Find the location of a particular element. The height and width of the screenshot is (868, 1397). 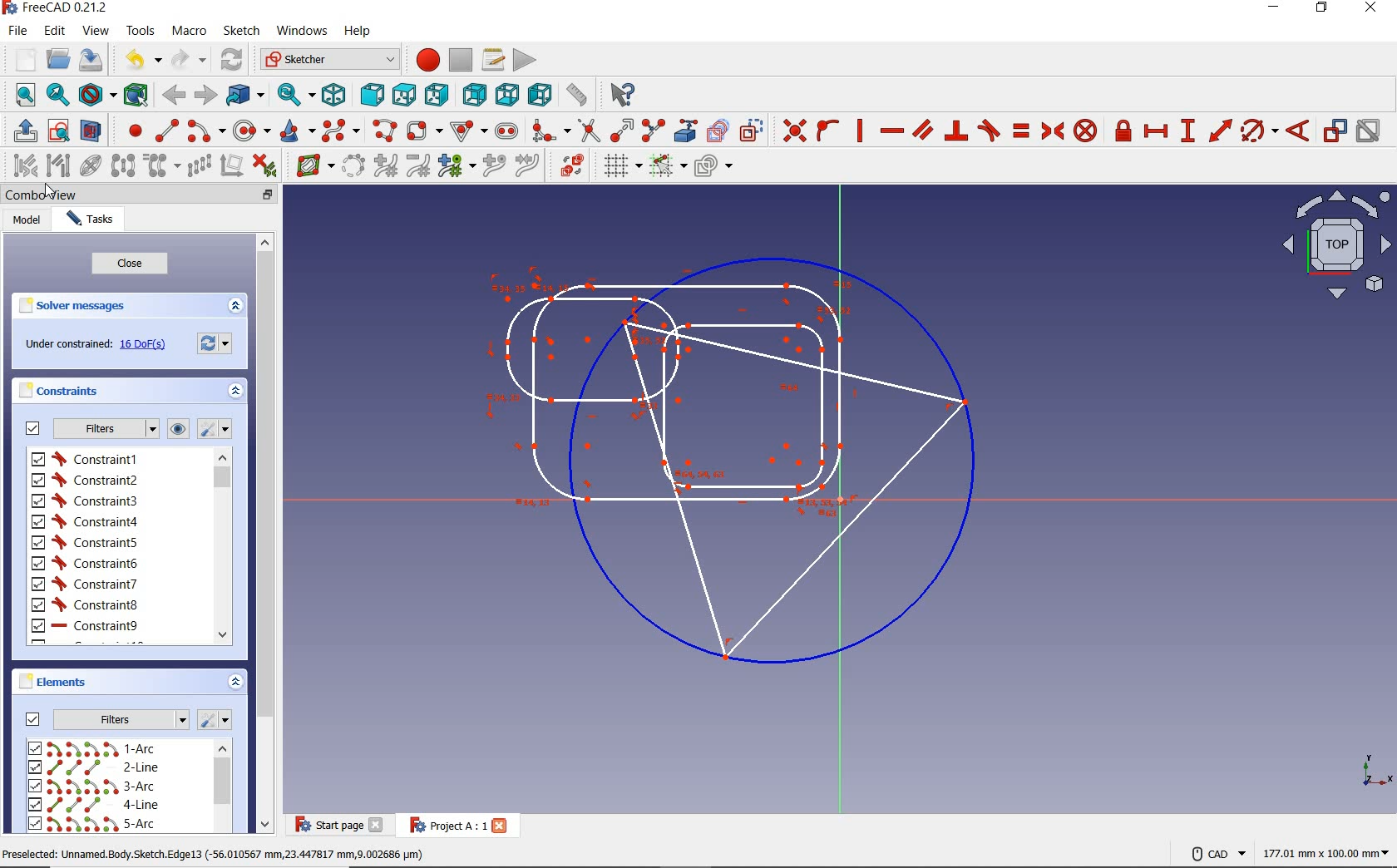

preselected: unnamed.body.sketch.edge13 (-56.010567 mm,23.447817 mm,9.002686 mm) is located at coordinates (216, 856).